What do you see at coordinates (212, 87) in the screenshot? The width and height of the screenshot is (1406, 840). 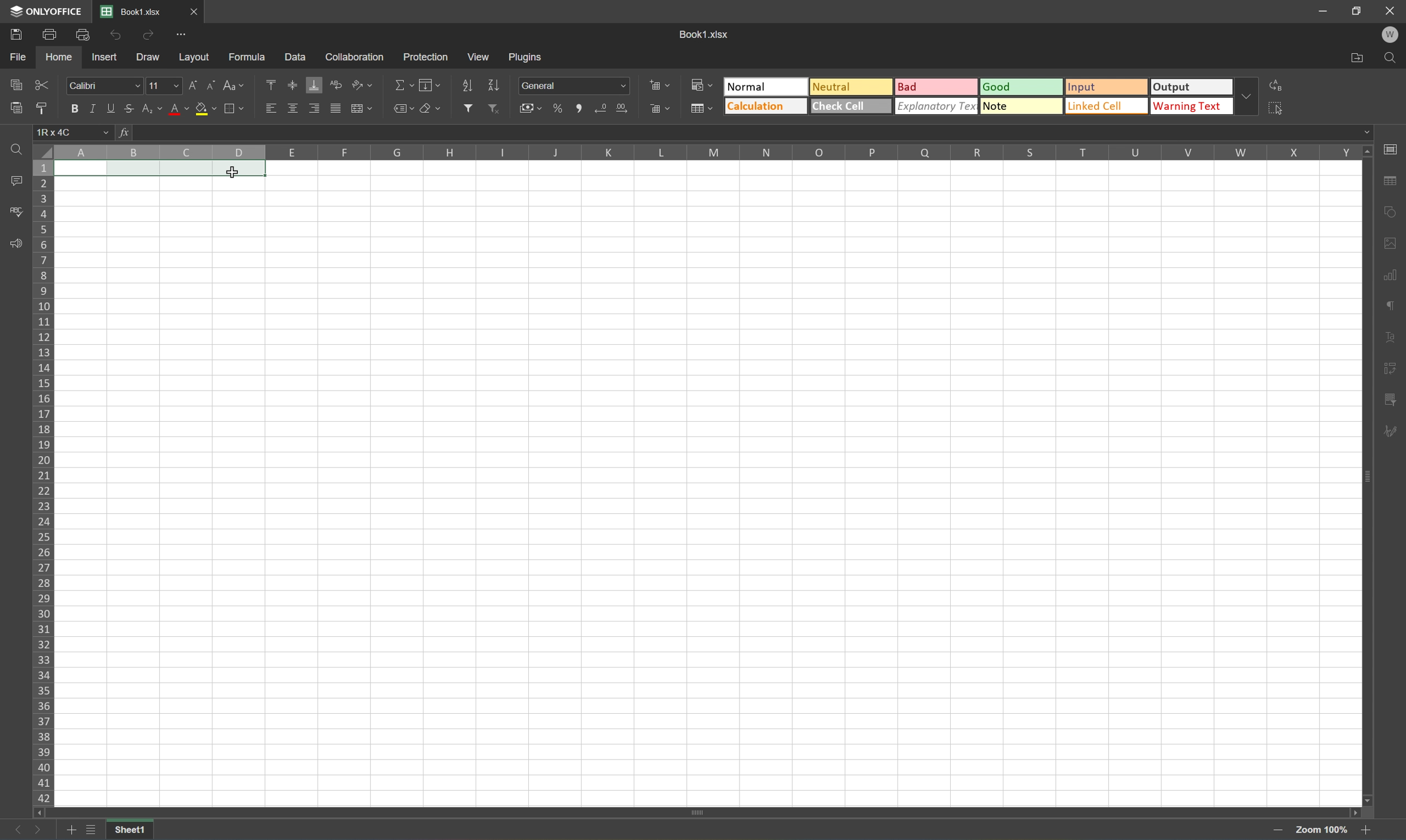 I see `Decrement font size` at bounding box center [212, 87].